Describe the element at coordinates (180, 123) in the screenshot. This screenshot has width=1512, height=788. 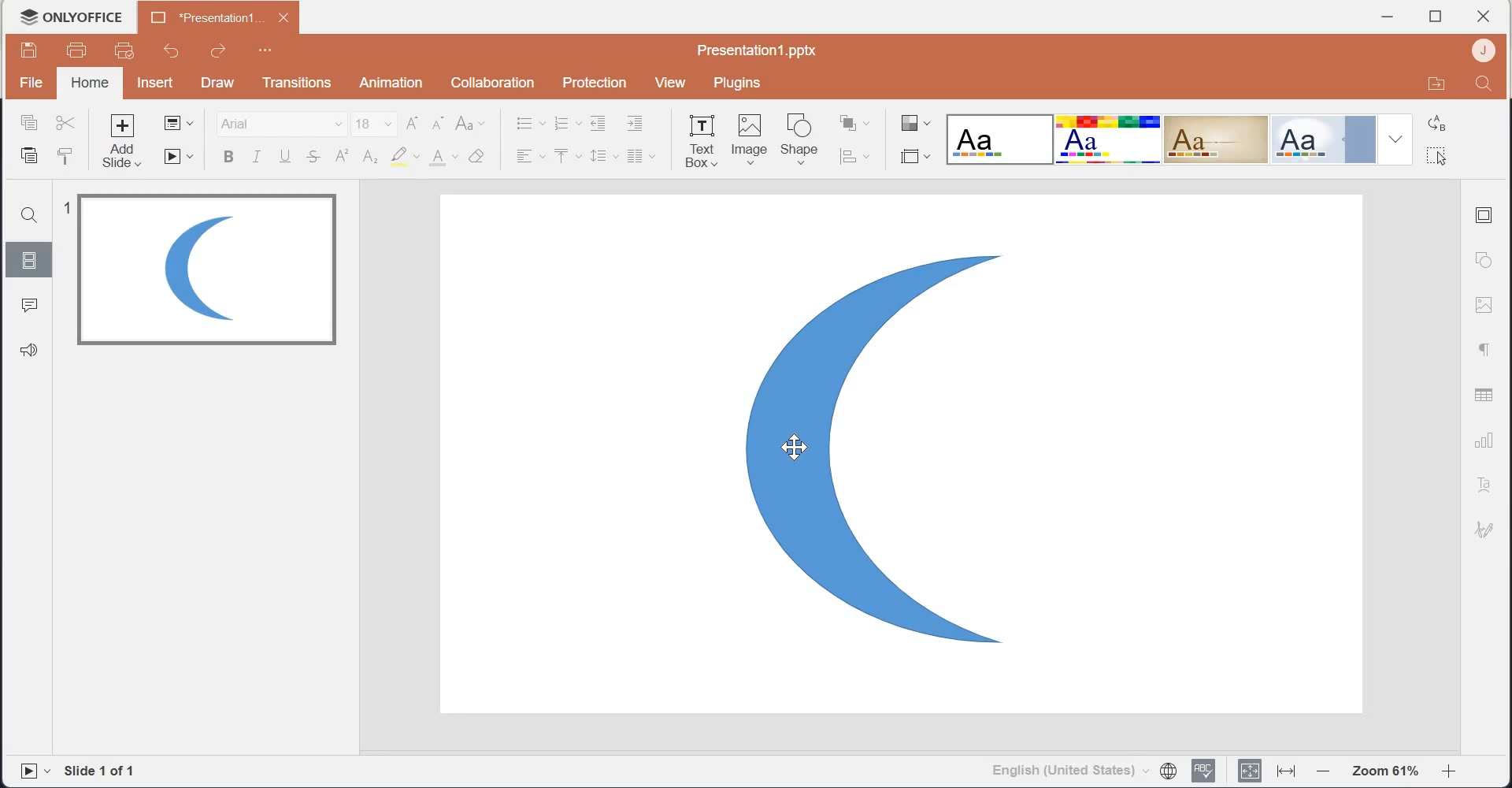
I see `Change slide layout` at that location.